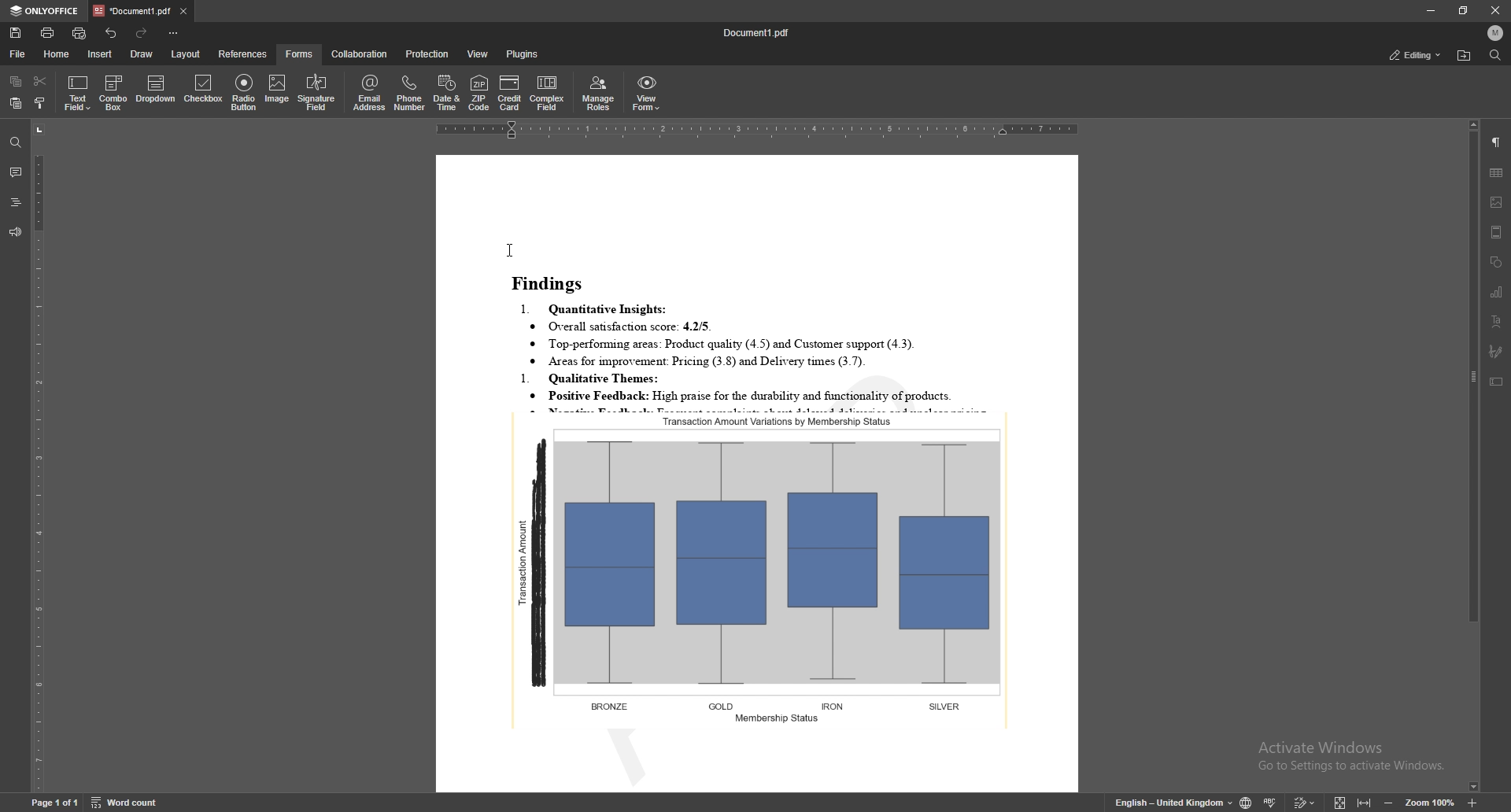  Describe the element at coordinates (1494, 11) in the screenshot. I see `close` at that location.